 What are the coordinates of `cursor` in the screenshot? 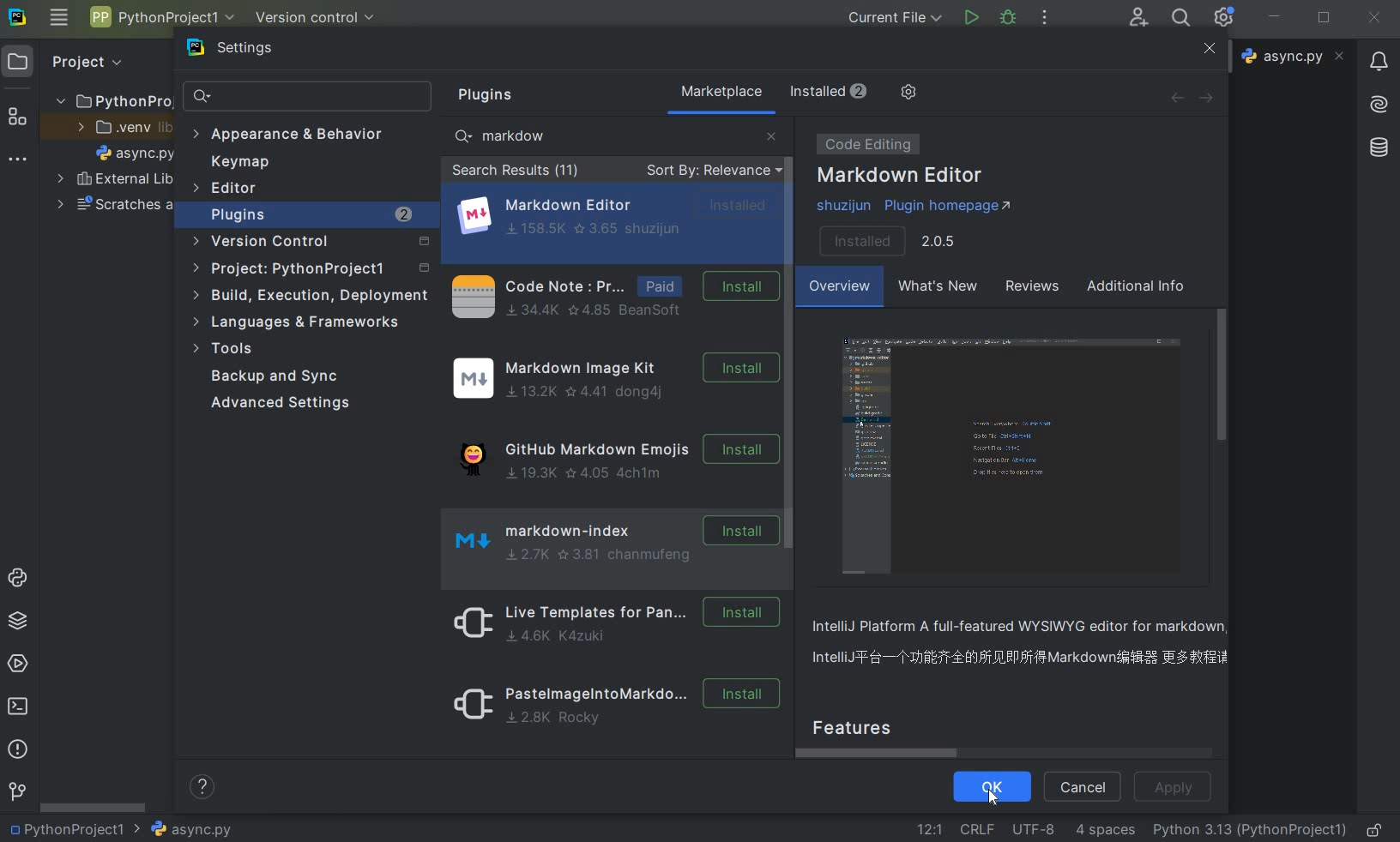 It's located at (993, 797).